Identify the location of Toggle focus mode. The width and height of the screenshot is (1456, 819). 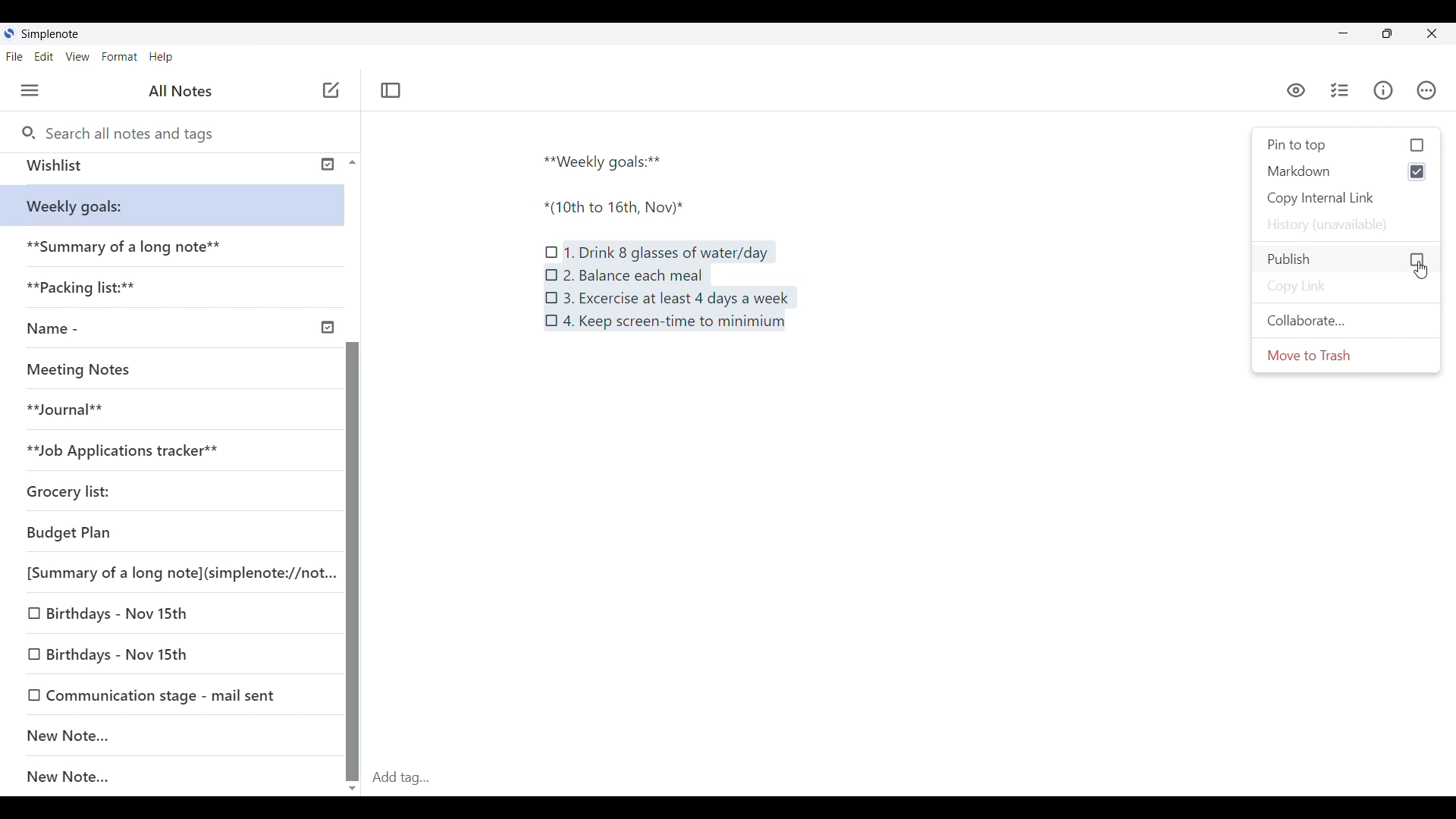
(393, 89).